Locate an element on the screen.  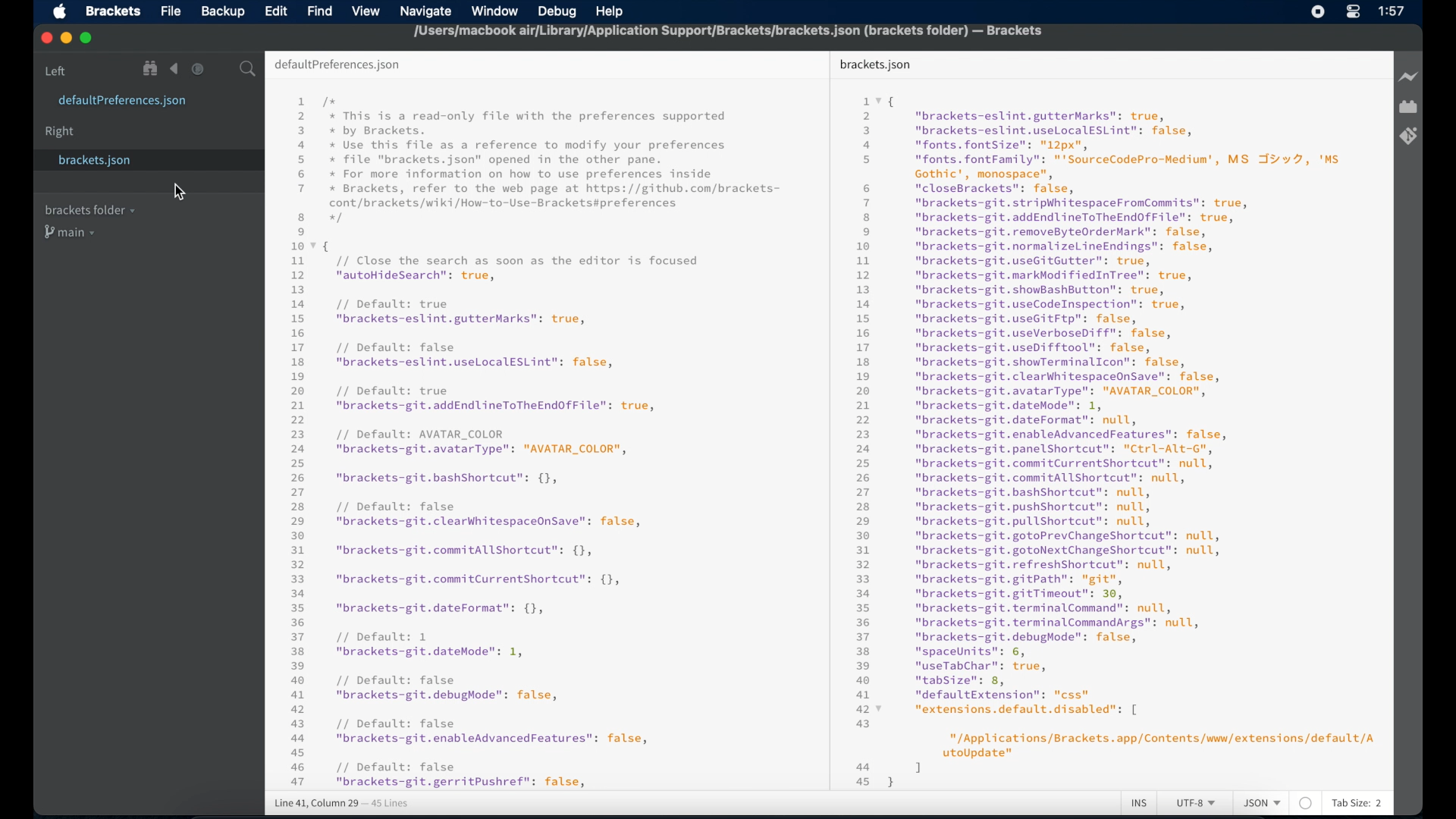
navigate forward is located at coordinates (198, 69).